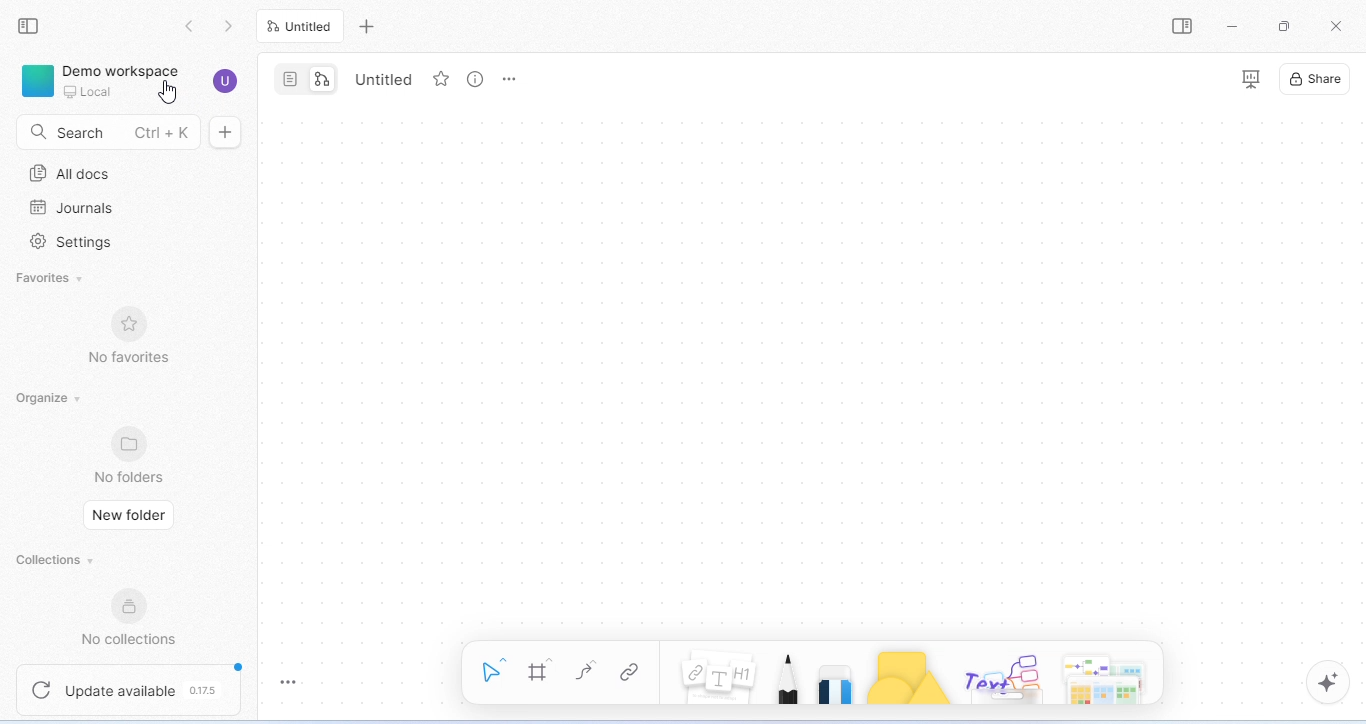 This screenshot has width=1366, height=724. Describe the element at coordinates (1103, 678) in the screenshot. I see `arrows and more` at that location.